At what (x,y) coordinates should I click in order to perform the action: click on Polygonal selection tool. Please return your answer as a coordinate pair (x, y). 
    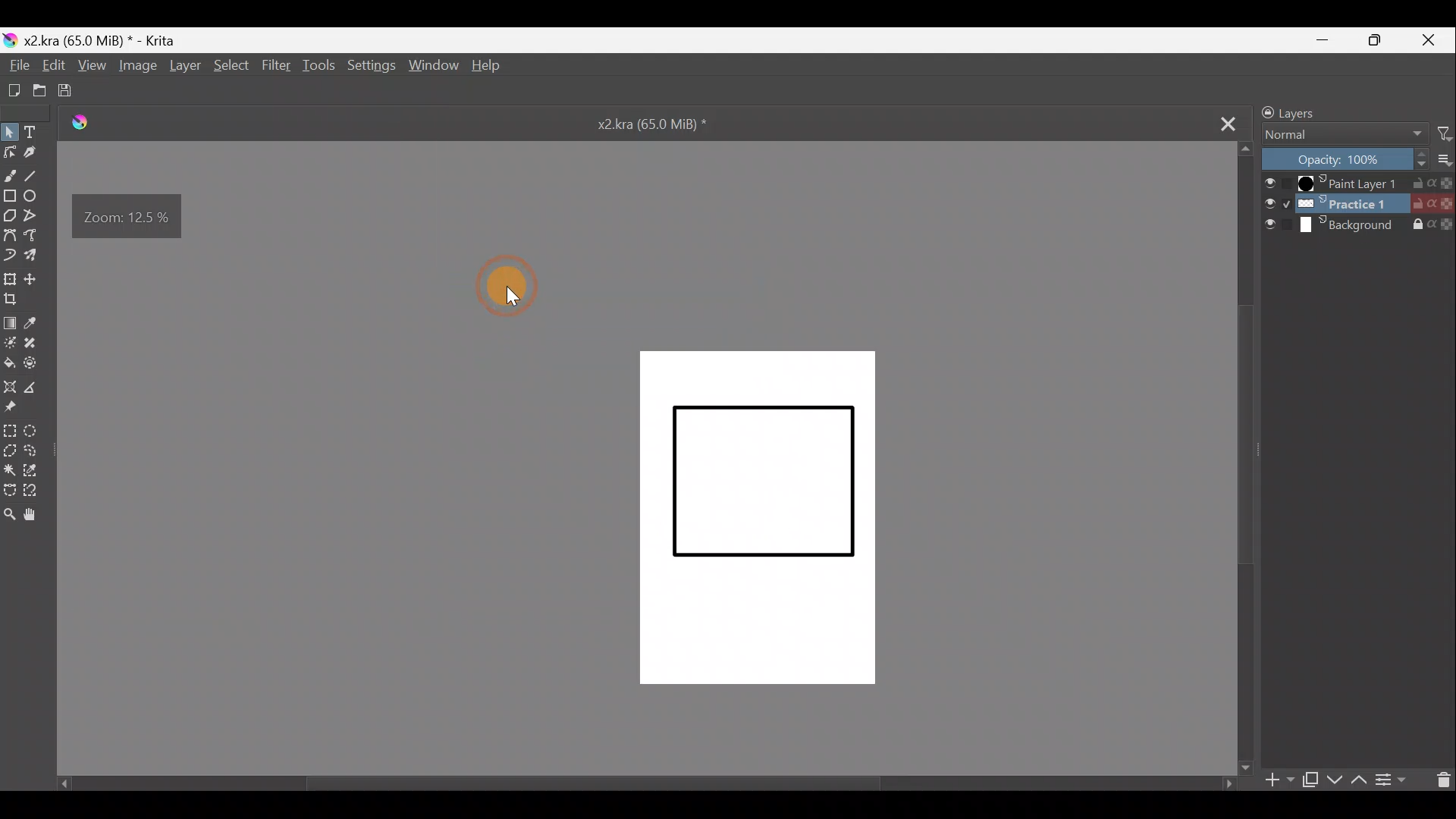
    Looking at the image, I should click on (9, 450).